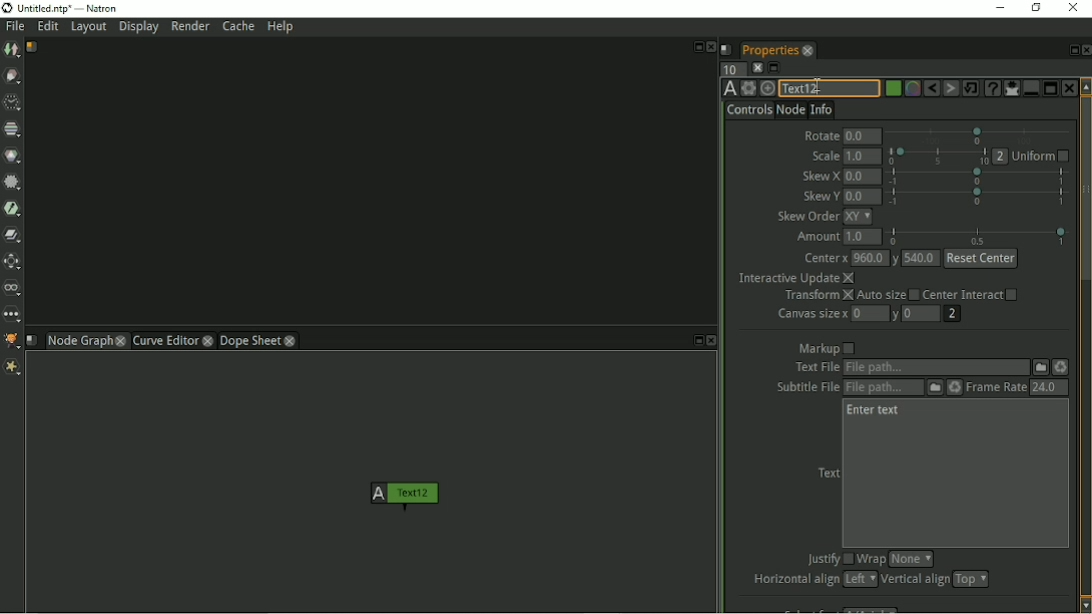 This screenshot has height=614, width=1092. What do you see at coordinates (820, 133) in the screenshot?
I see `Rotate` at bounding box center [820, 133].